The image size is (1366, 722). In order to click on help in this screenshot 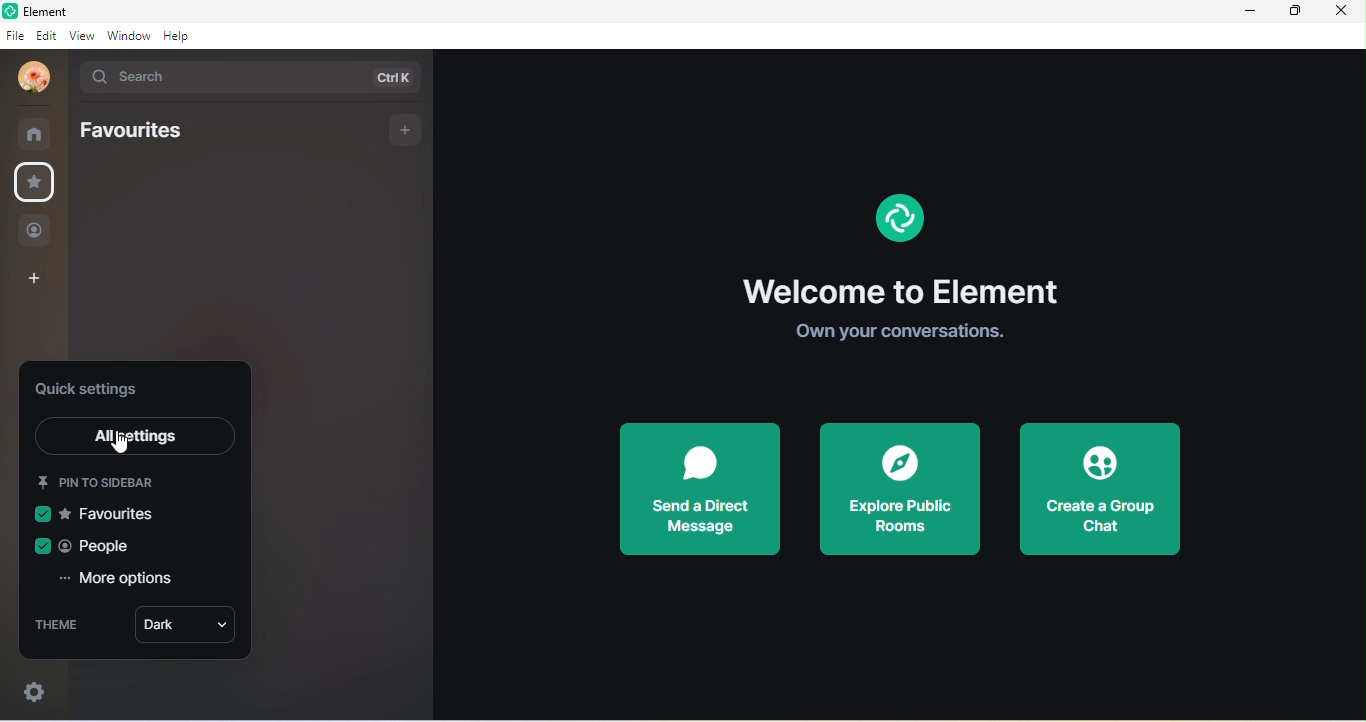, I will do `click(179, 37)`.